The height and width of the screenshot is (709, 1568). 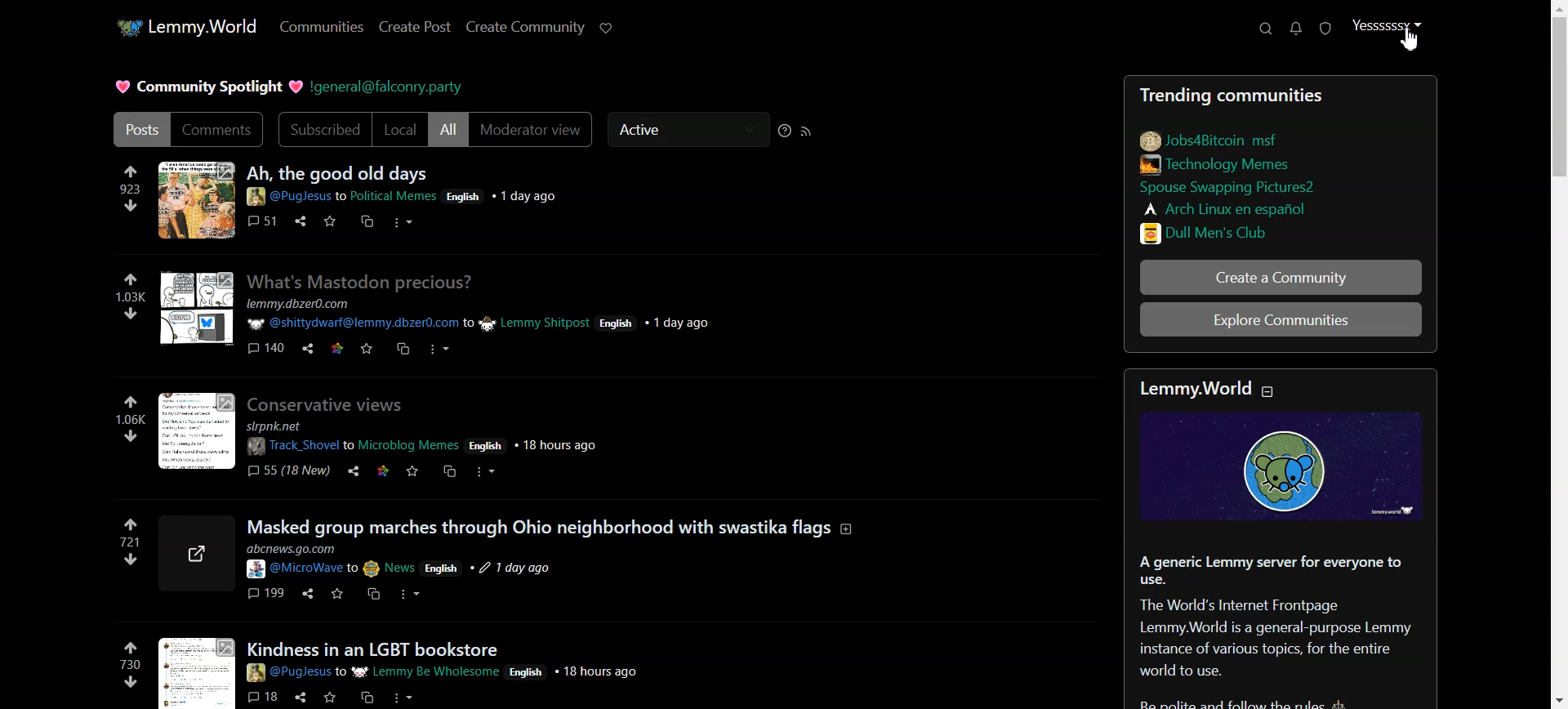 I want to click on downvote, so click(x=131, y=681).